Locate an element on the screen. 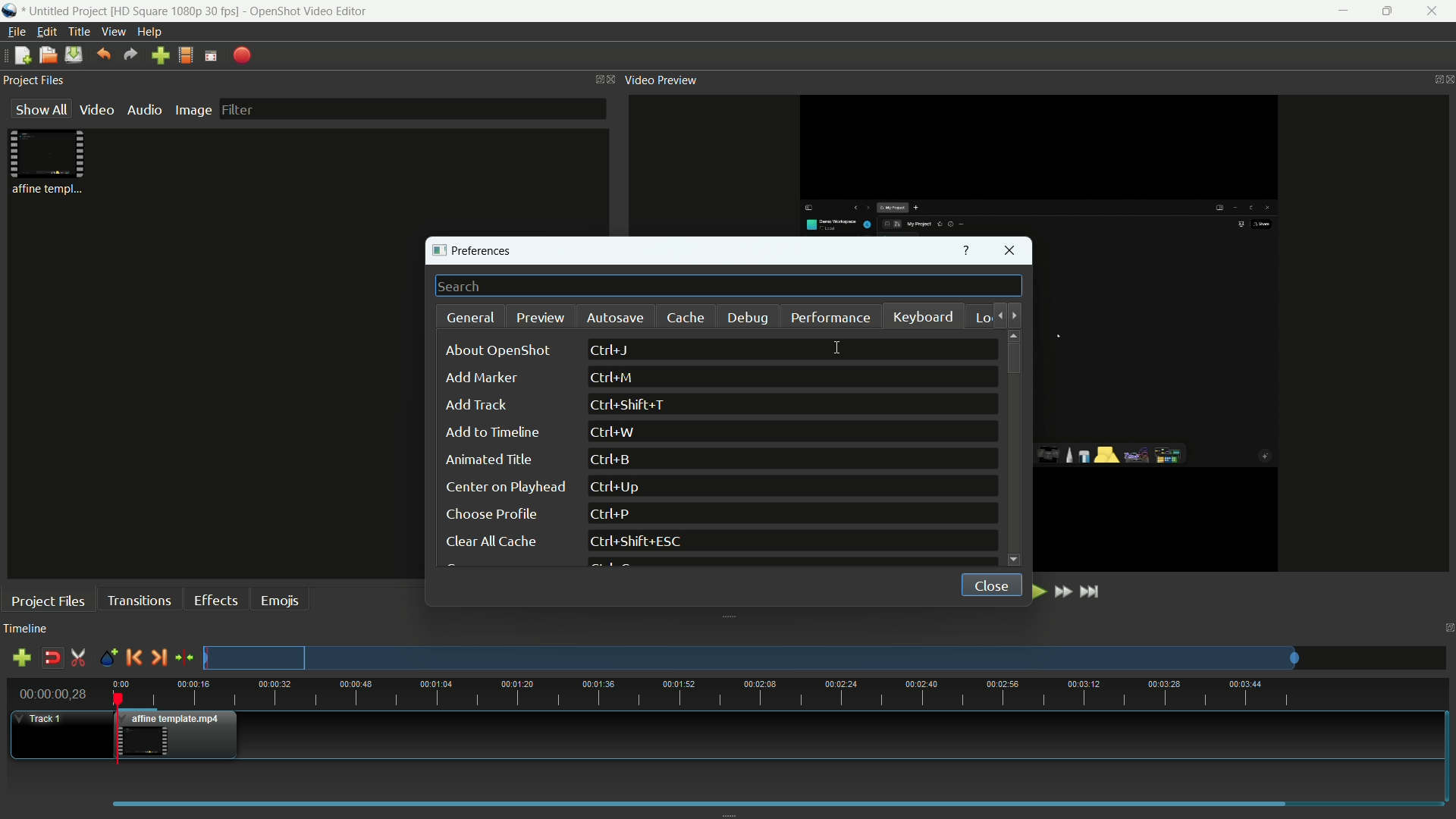 This screenshot has width=1456, height=819. play or pause is located at coordinates (1037, 591).